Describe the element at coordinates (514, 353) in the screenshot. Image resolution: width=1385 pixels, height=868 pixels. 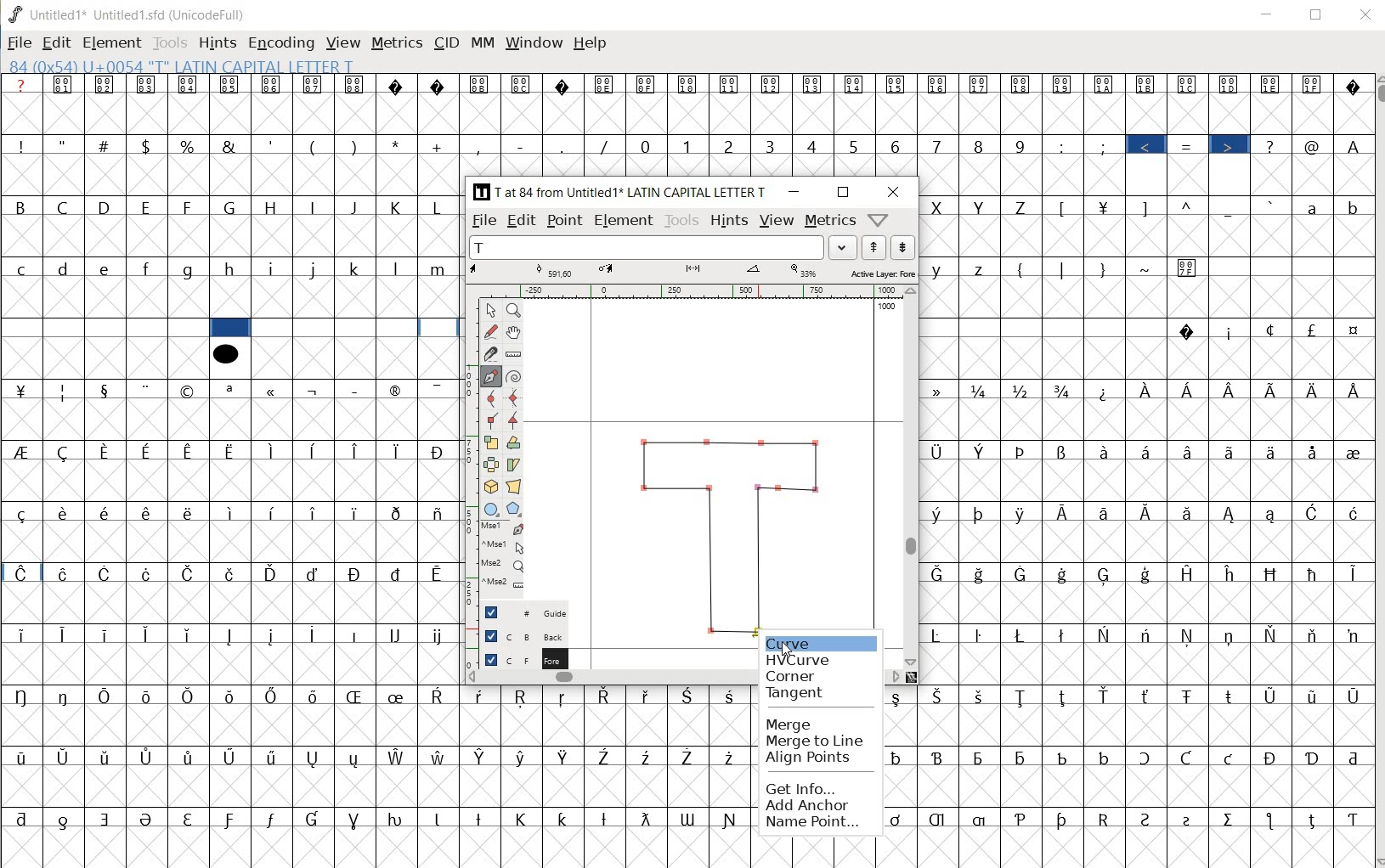
I see `ruler` at that location.